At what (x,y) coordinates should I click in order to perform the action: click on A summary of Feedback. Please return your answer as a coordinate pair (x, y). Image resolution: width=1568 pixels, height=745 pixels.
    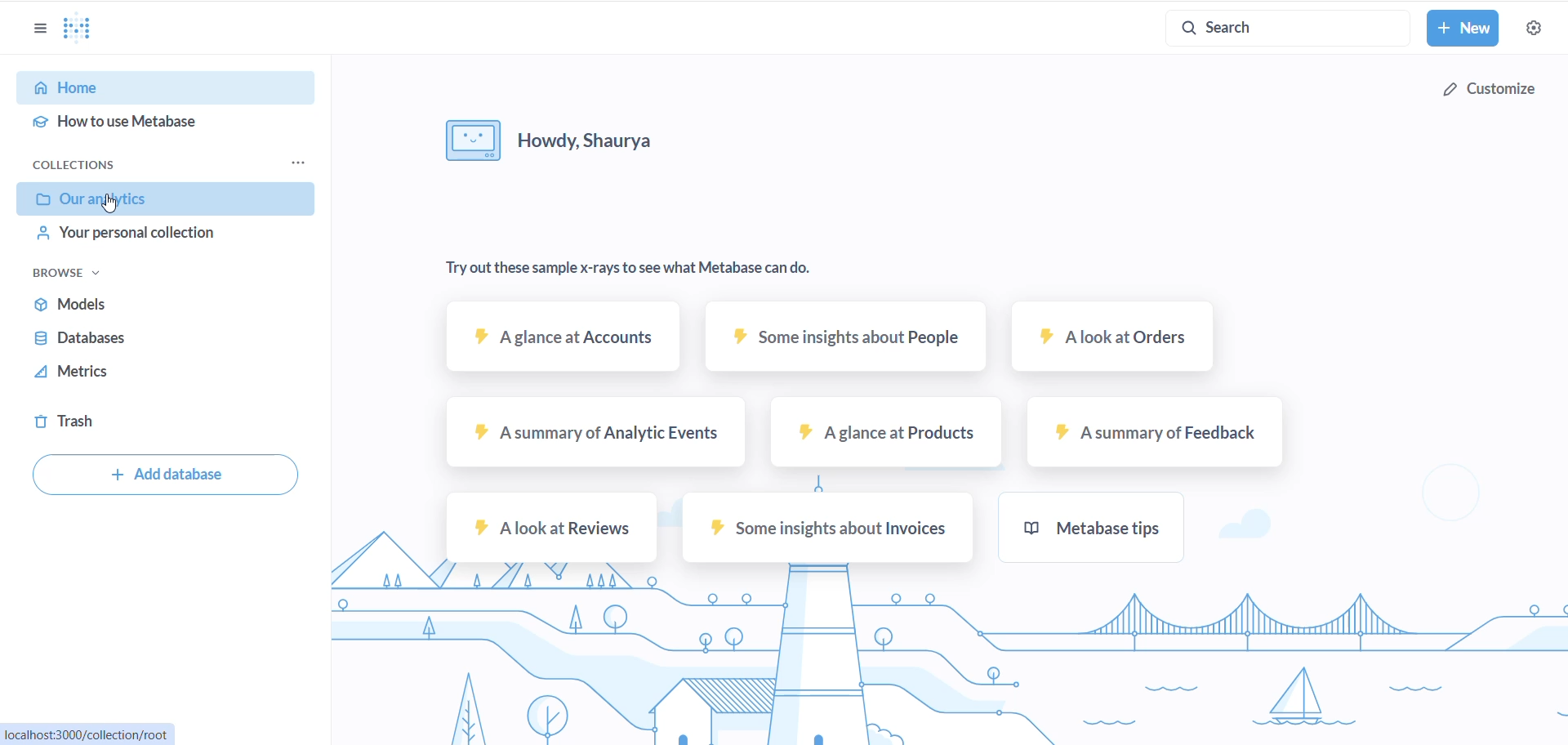
    Looking at the image, I should click on (1149, 435).